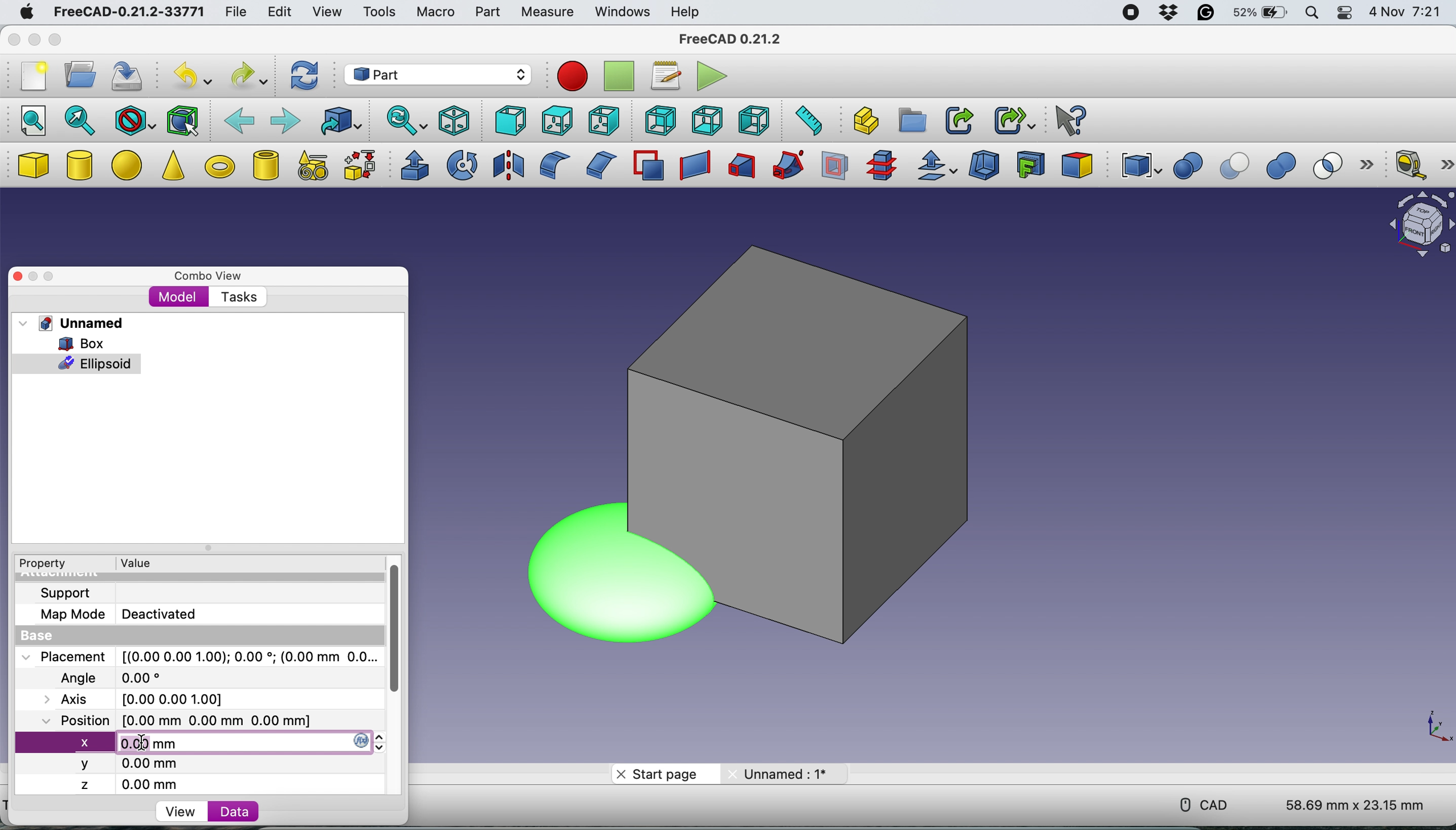 The image size is (1456, 830). What do you see at coordinates (863, 121) in the screenshot?
I see `create part` at bounding box center [863, 121].